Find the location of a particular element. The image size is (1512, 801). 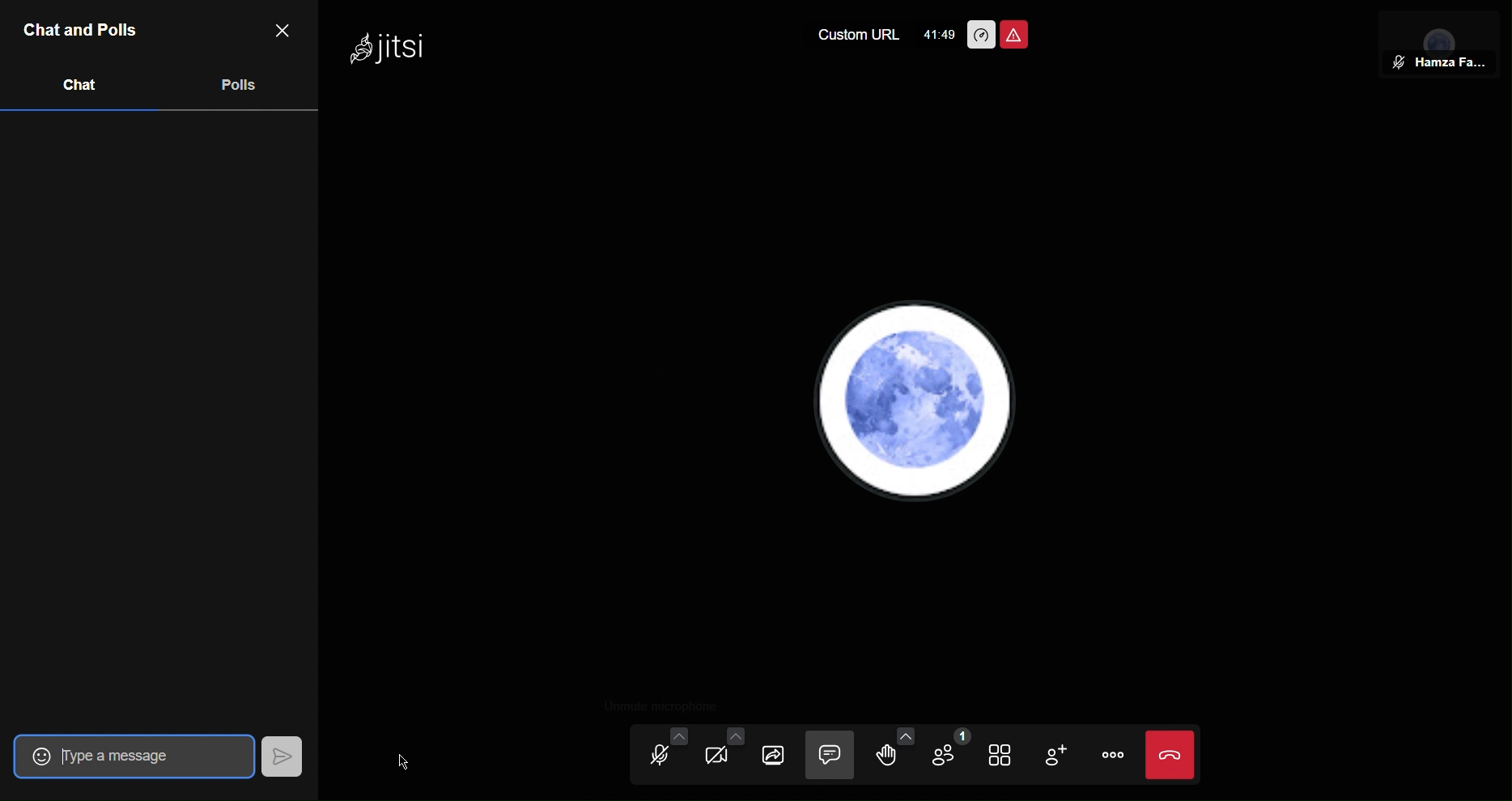

More is located at coordinates (1122, 756).